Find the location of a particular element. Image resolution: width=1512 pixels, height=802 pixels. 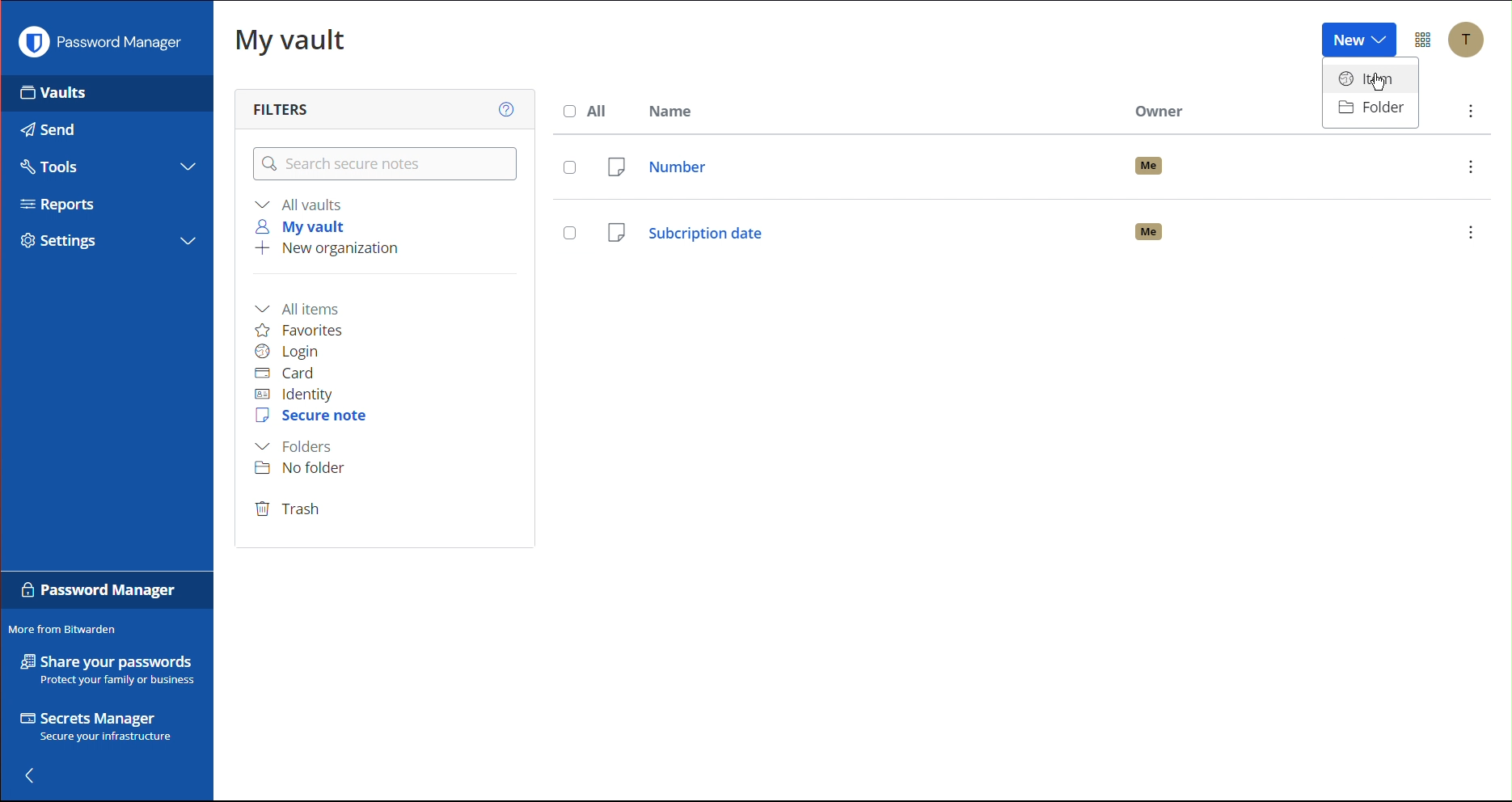

My vault is located at coordinates (291, 44).